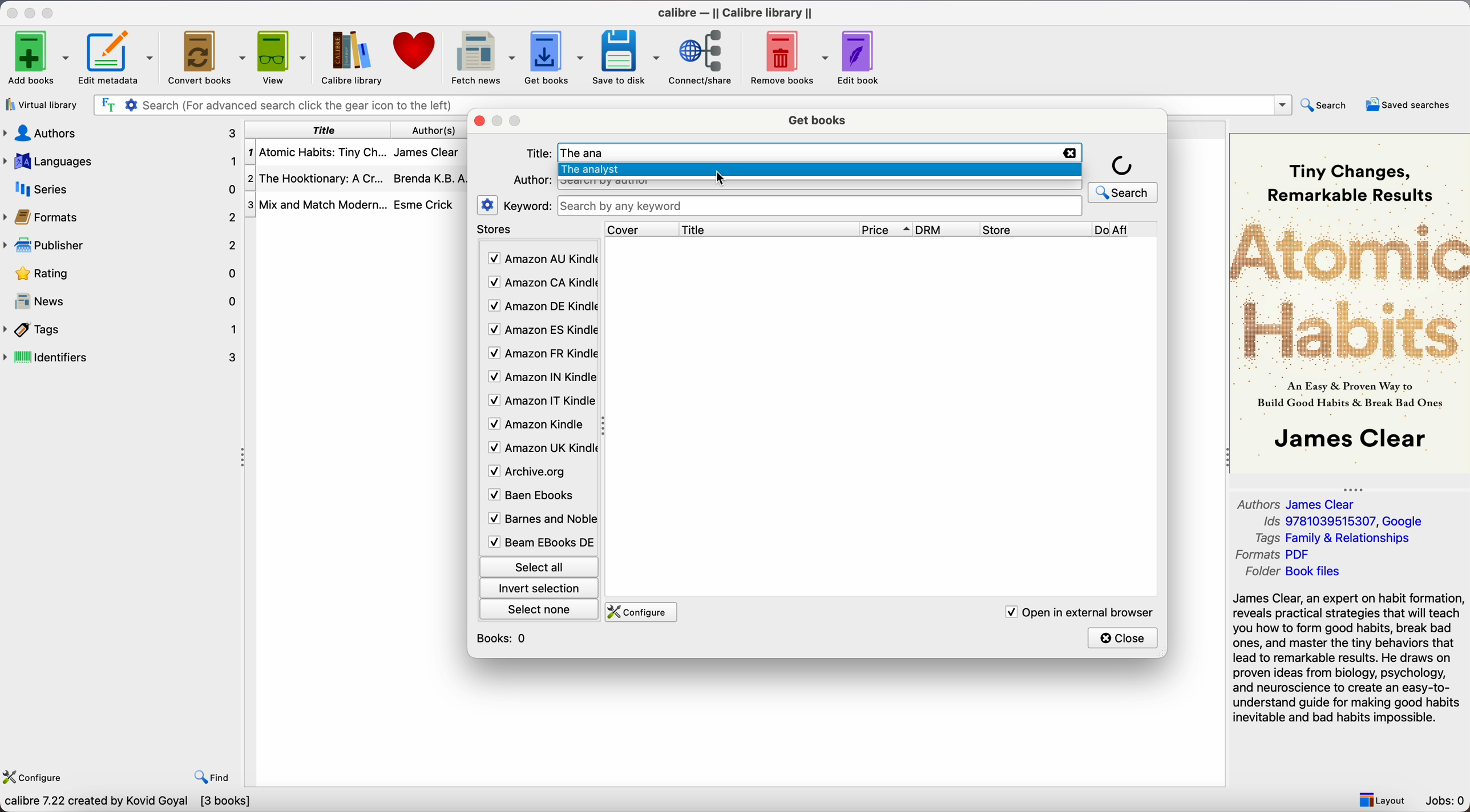 The width and height of the screenshot is (1470, 812). I want to click on Baen Ebooks, so click(535, 498).